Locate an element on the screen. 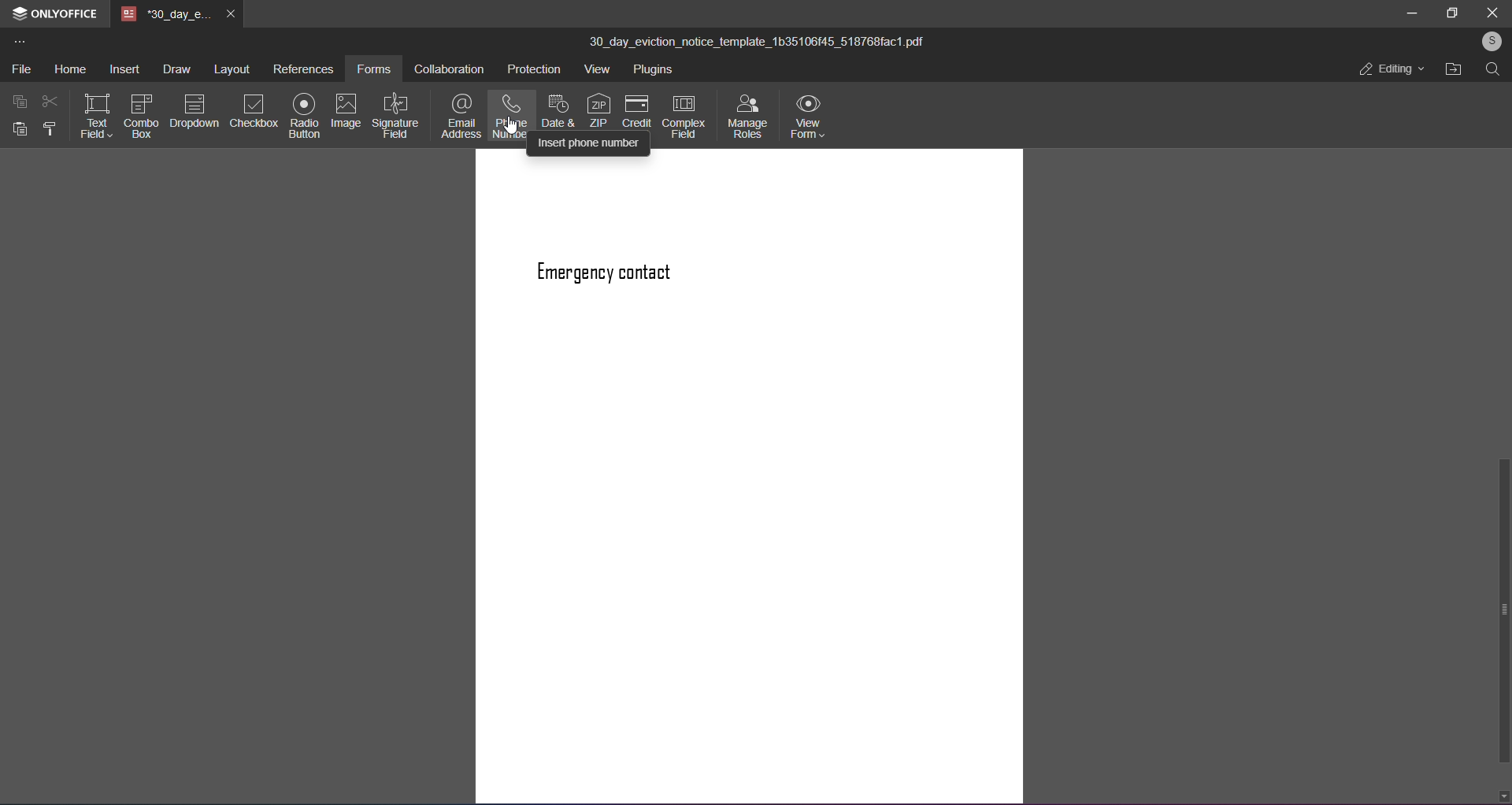  open file location is located at coordinates (1453, 70).